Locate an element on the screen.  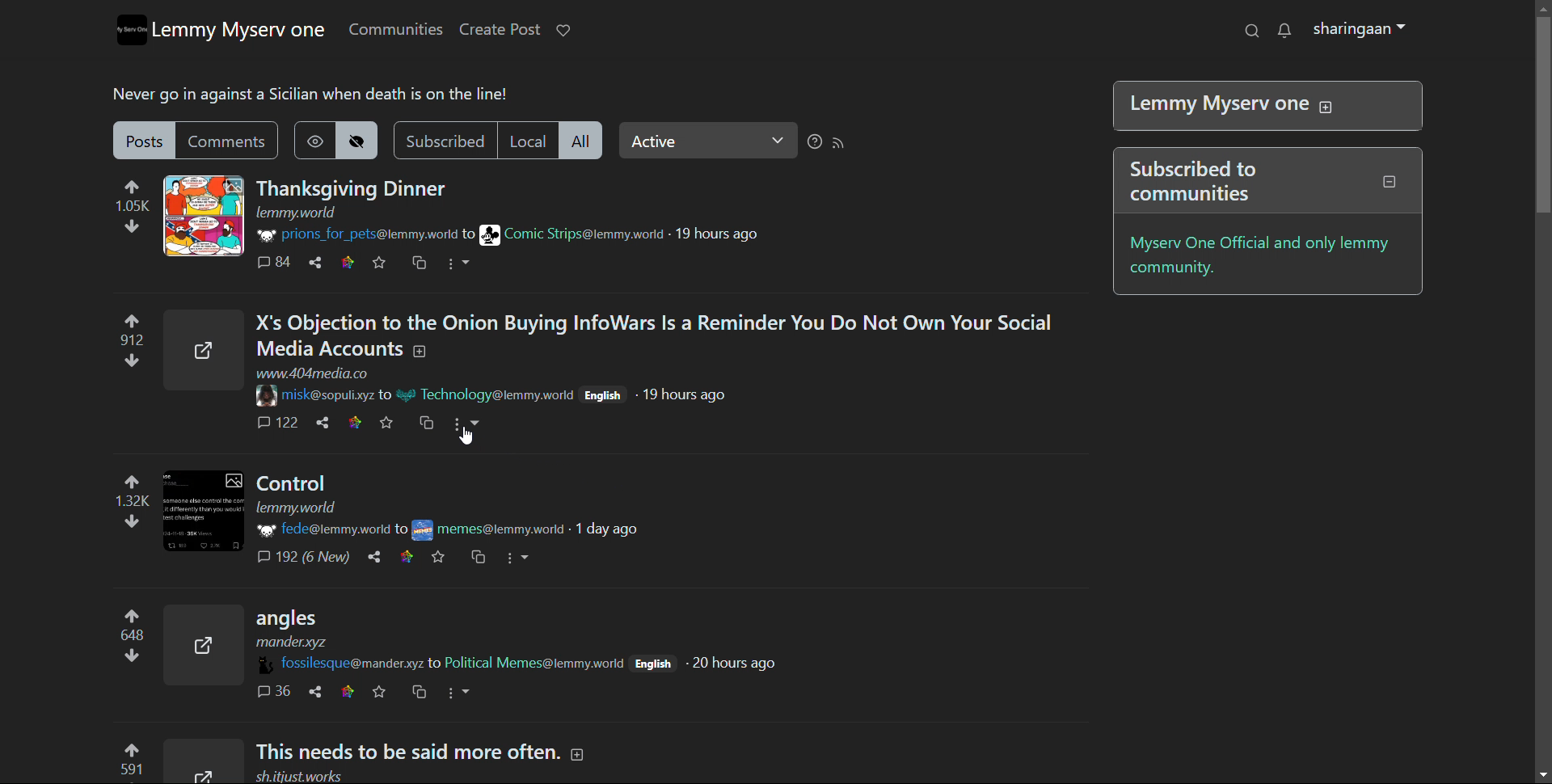
upvote  is located at coordinates (120, 761).